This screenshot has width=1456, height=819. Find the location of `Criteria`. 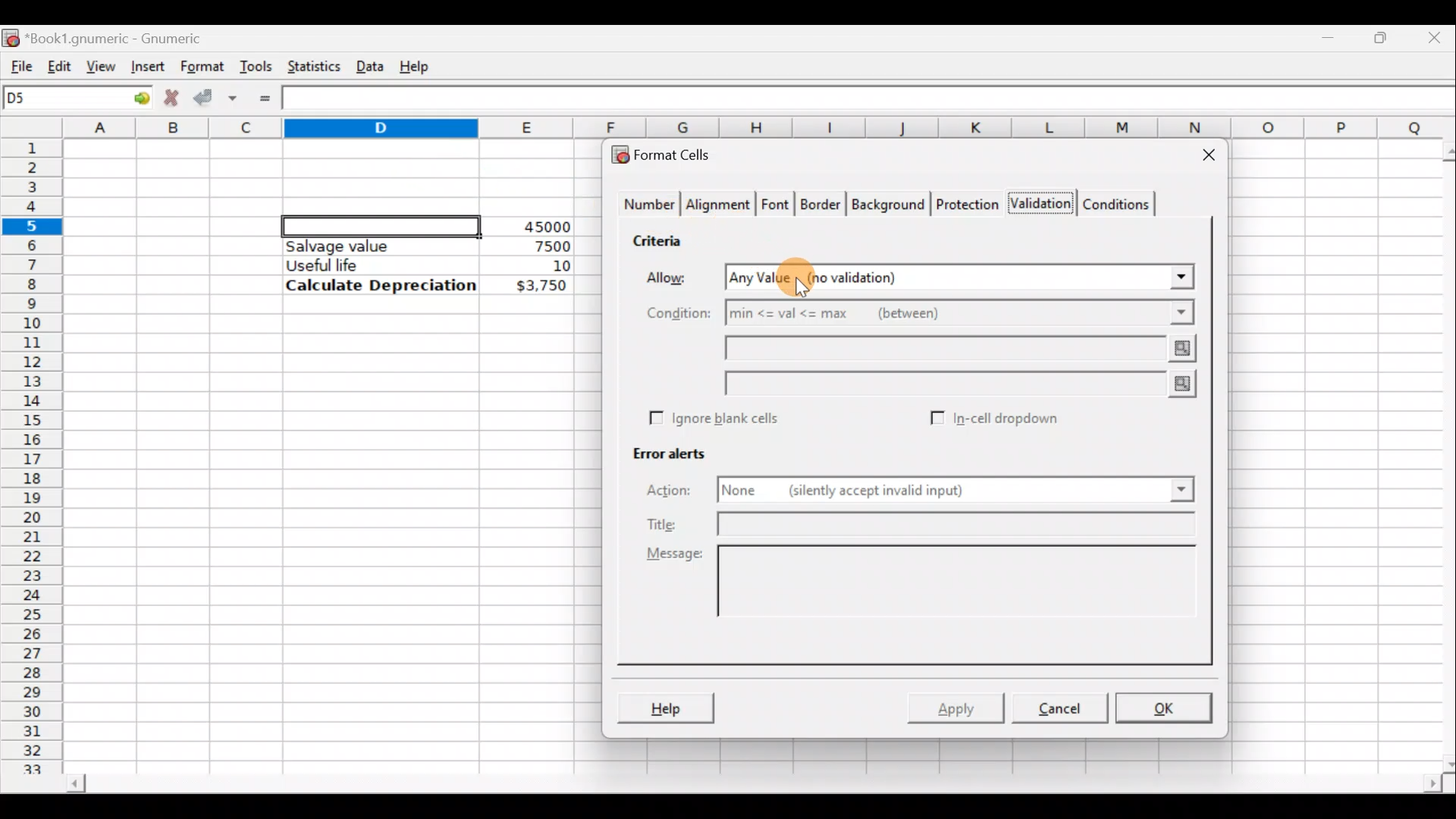

Criteria is located at coordinates (656, 240).